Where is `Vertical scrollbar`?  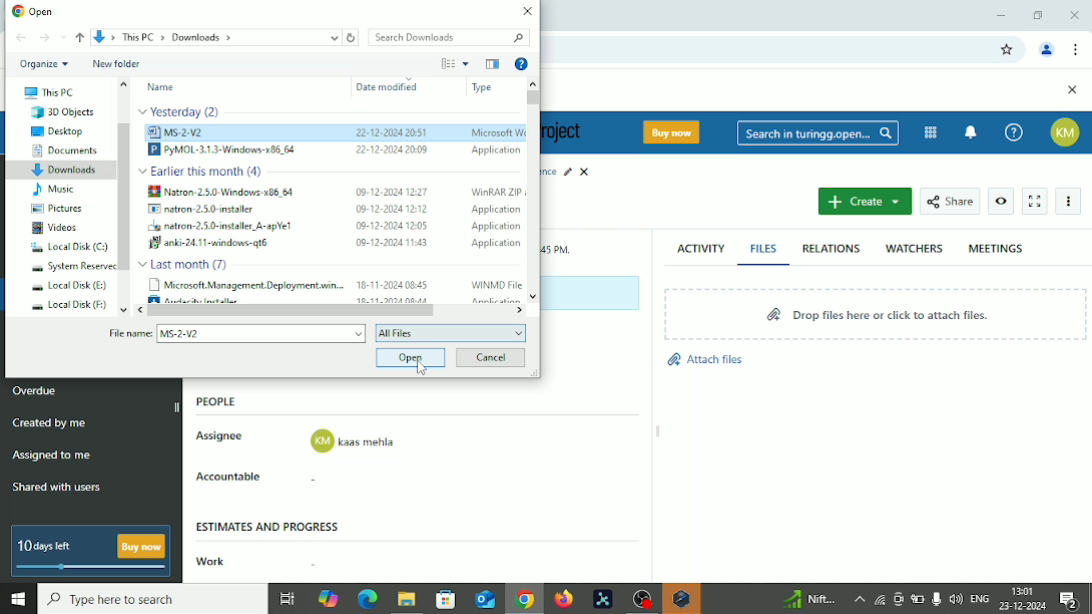
Vertical scrollbar is located at coordinates (532, 98).